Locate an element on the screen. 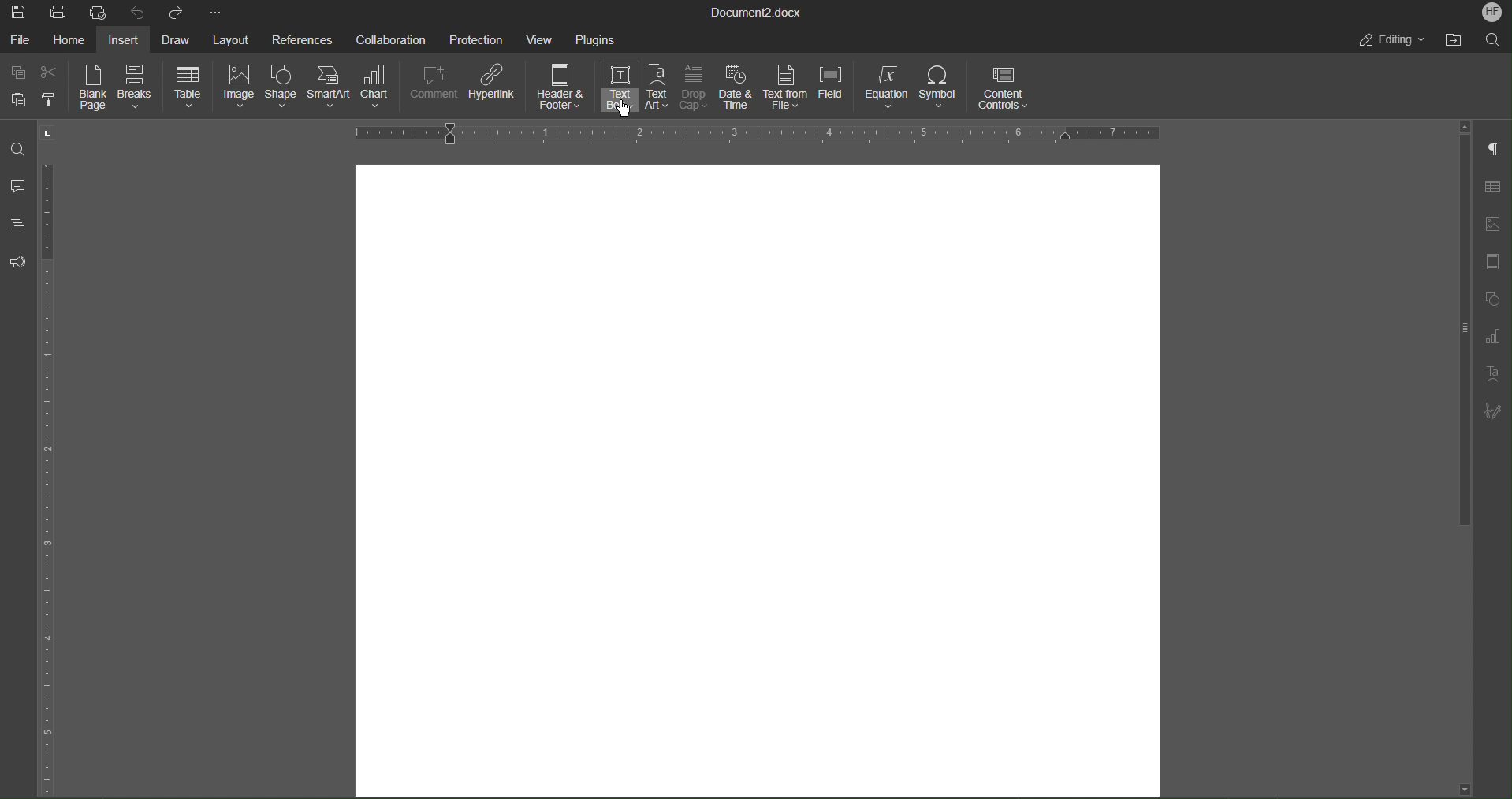 The image size is (1512, 799). Signature is located at coordinates (1492, 412).